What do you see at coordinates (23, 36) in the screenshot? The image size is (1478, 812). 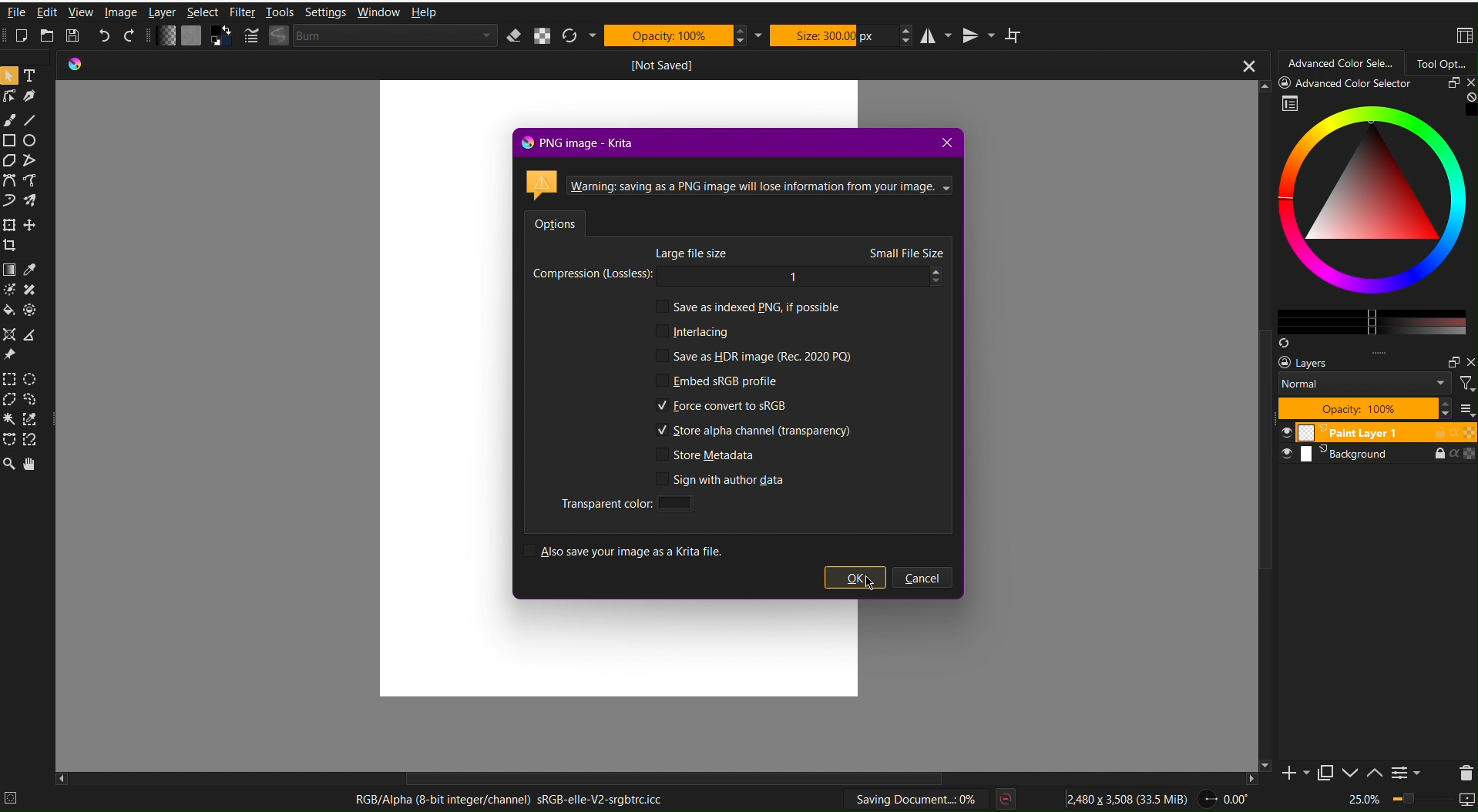 I see `New` at bounding box center [23, 36].